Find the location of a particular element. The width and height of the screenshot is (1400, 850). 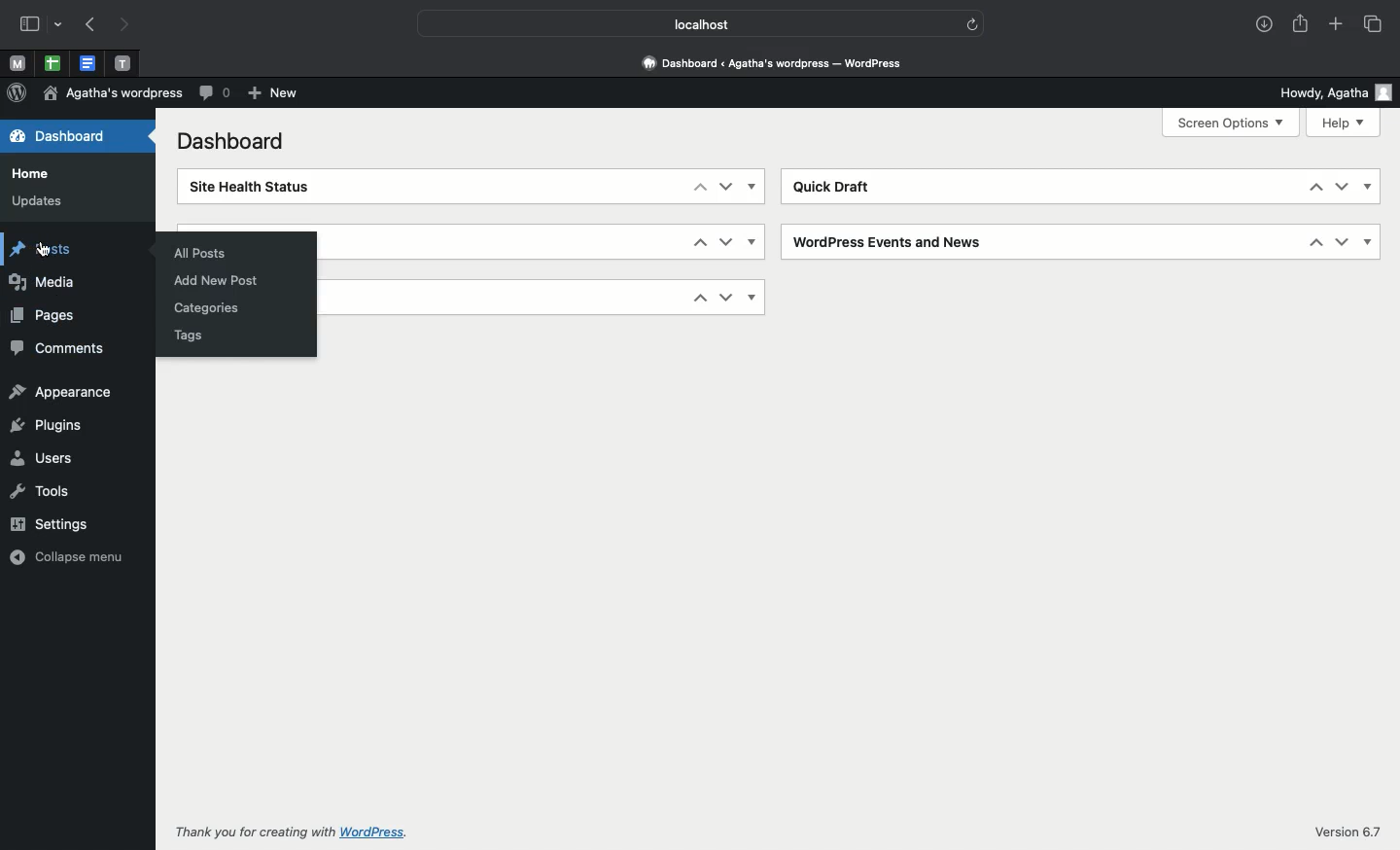

Wordpress name is located at coordinates (113, 93).